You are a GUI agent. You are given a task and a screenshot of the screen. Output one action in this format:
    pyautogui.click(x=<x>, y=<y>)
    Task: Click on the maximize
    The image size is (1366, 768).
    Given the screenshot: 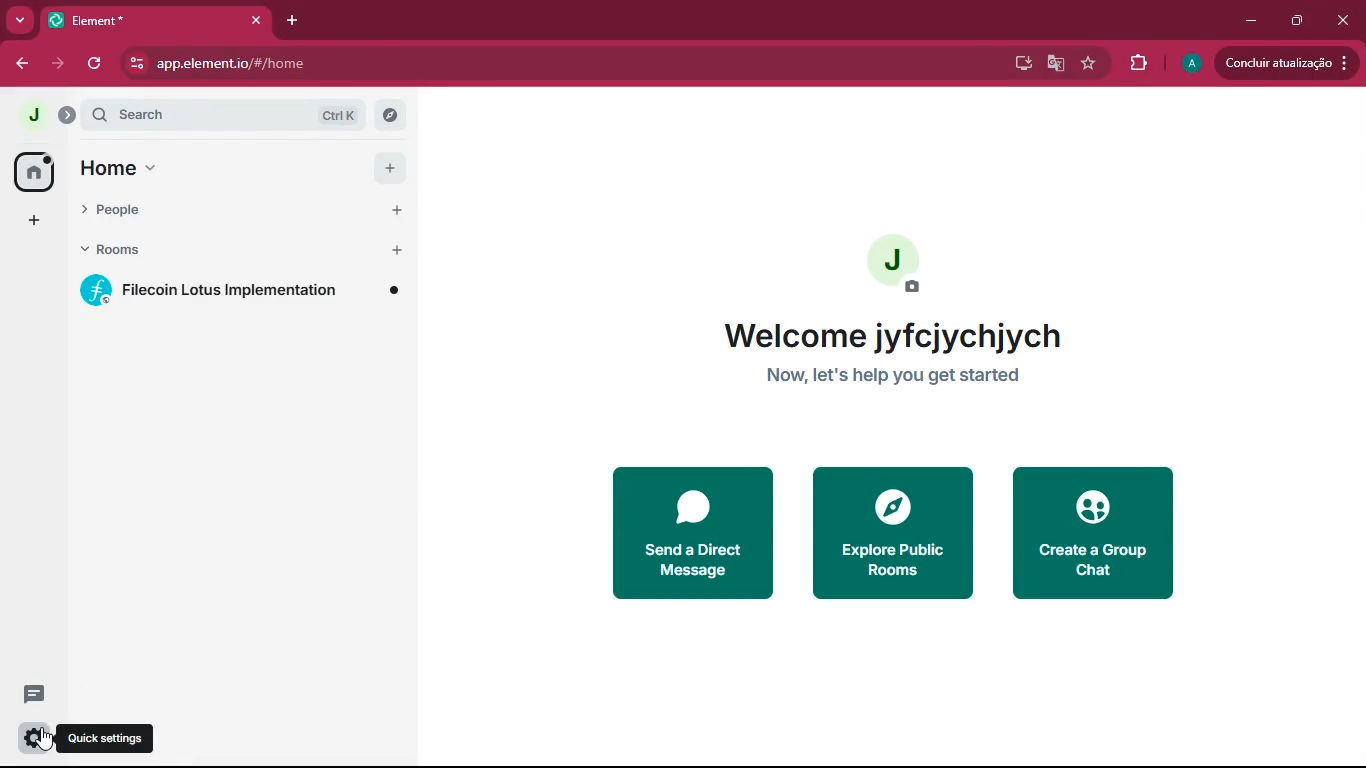 What is the action you would take?
    pyautogui.click(x=1297, y=22)
    